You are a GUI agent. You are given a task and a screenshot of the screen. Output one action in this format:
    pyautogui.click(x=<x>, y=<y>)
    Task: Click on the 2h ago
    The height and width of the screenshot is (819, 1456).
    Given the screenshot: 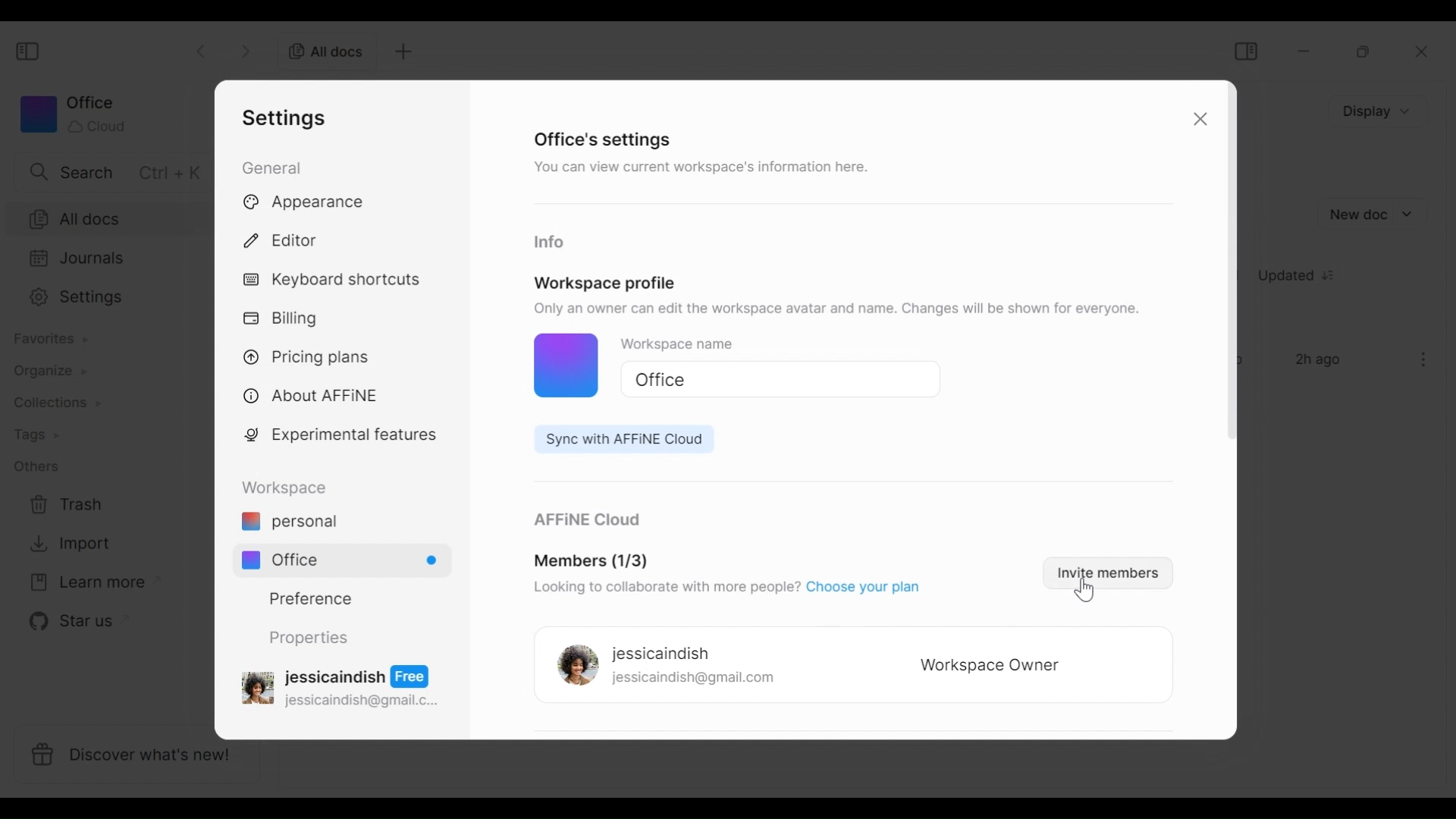 What is the action you would take?
    pyautogui.click(x=1321, y=361)
    